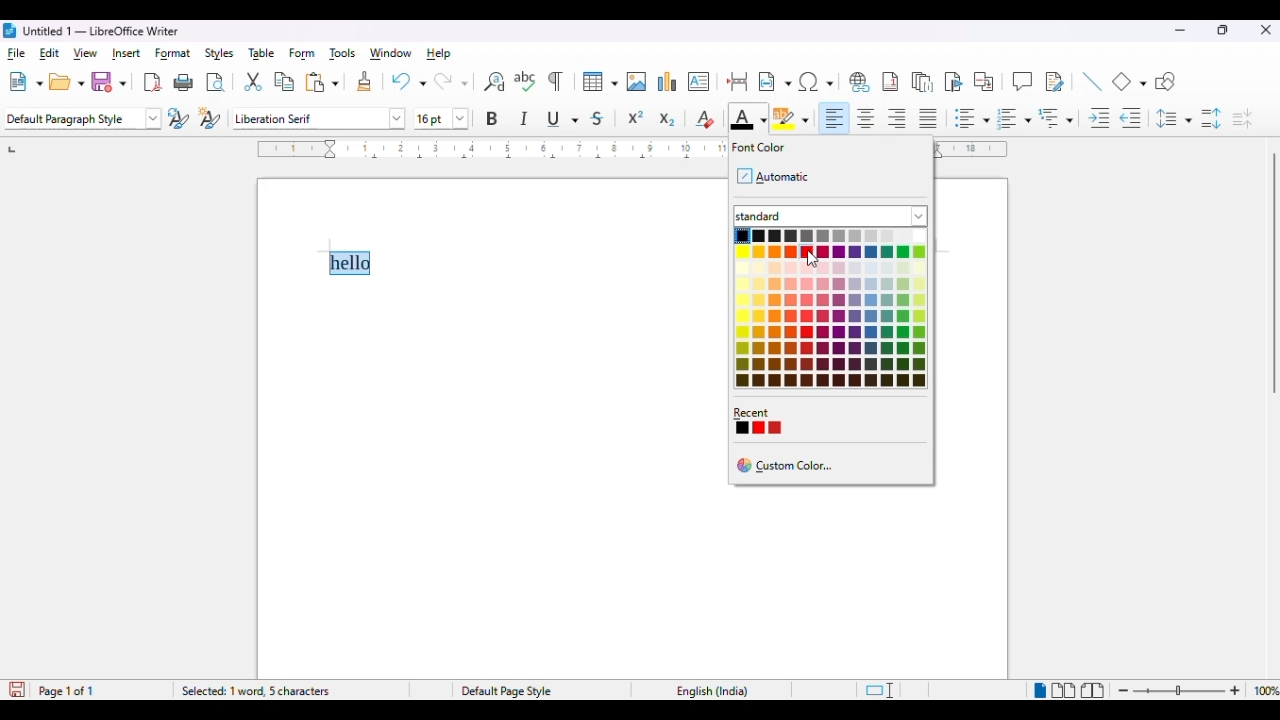 This screenshot has height=720, width=1280. What do you see at coordinates (774, 177) in the screenshot?
I see `automatic` at bounding box center [774, 177].